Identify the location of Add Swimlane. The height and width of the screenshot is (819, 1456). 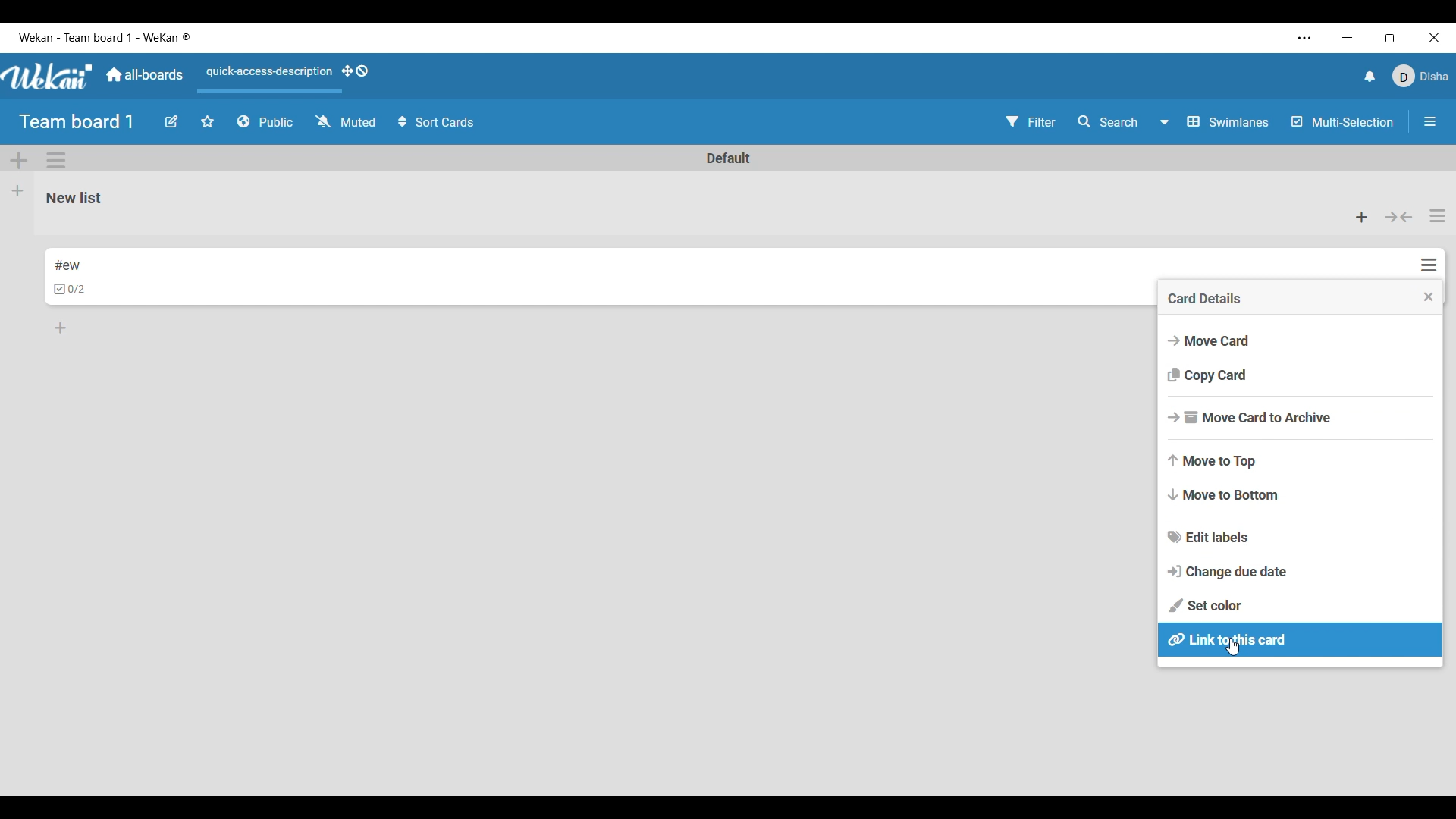
(20, 161).